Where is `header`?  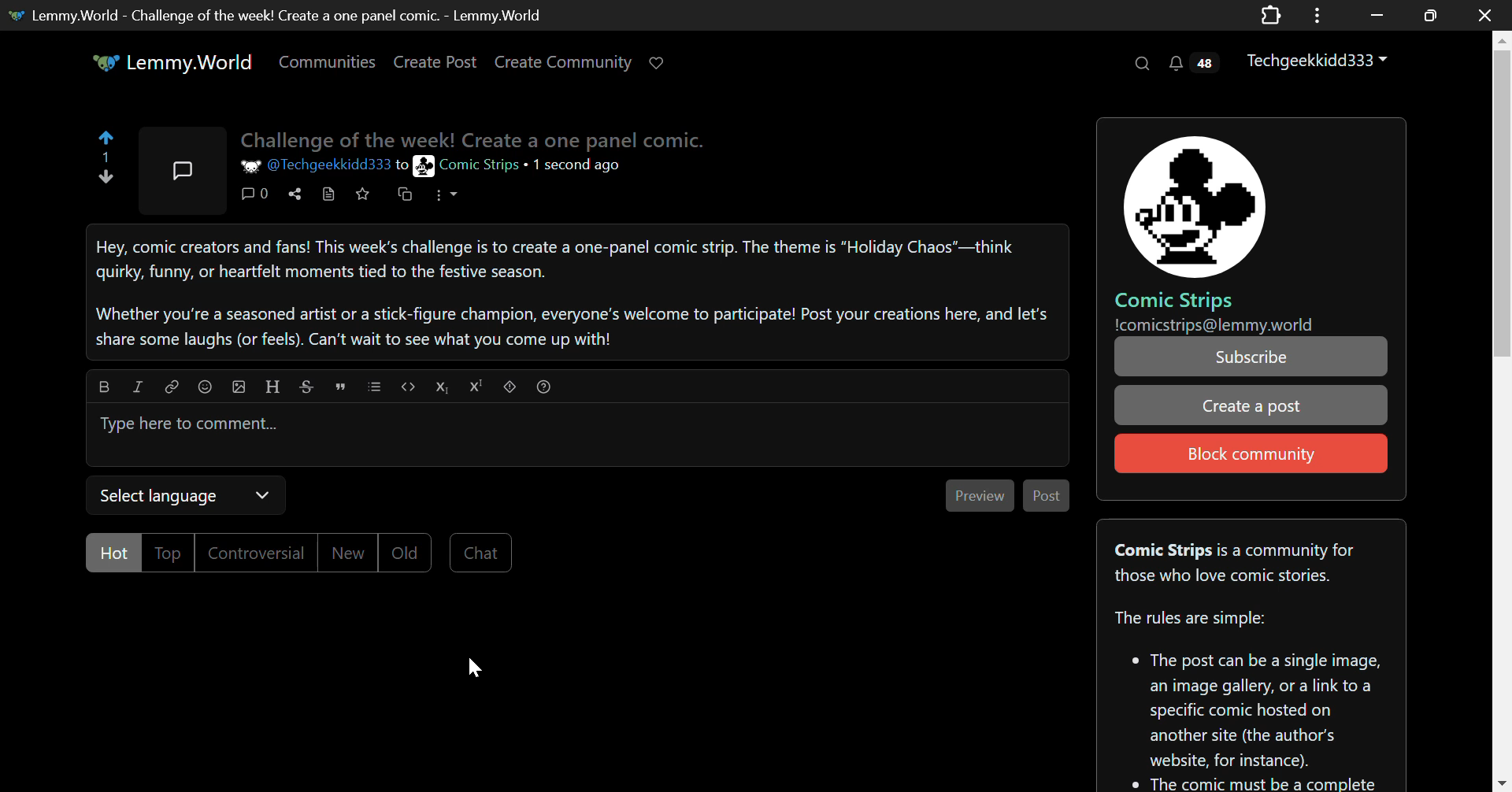
header is located at coordinates (273, 387).